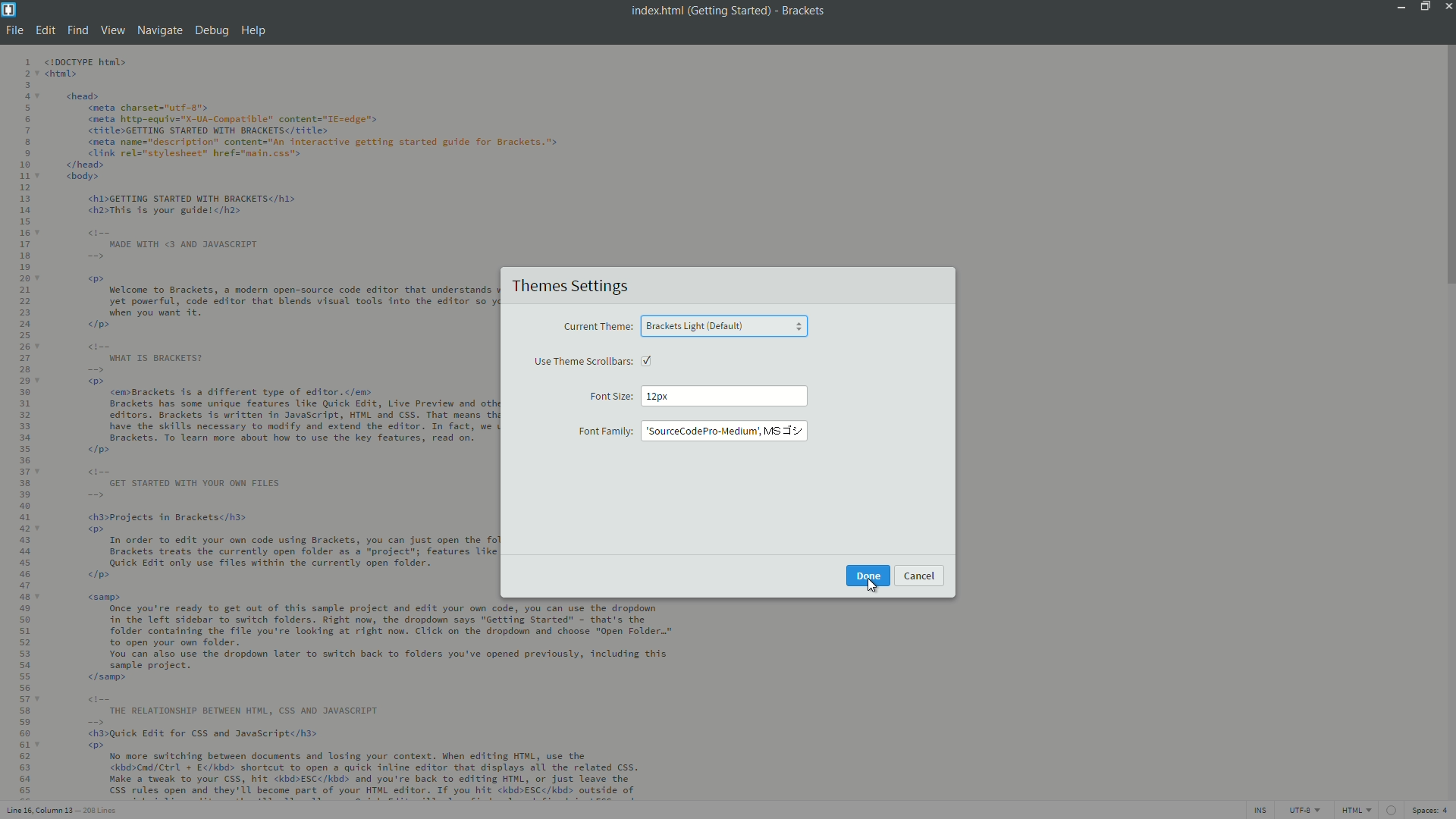 This screenshot has width=1456, height=819. Describe the element at coordinates (1398, 6) in the screenshot. I see `minimize` at that location.